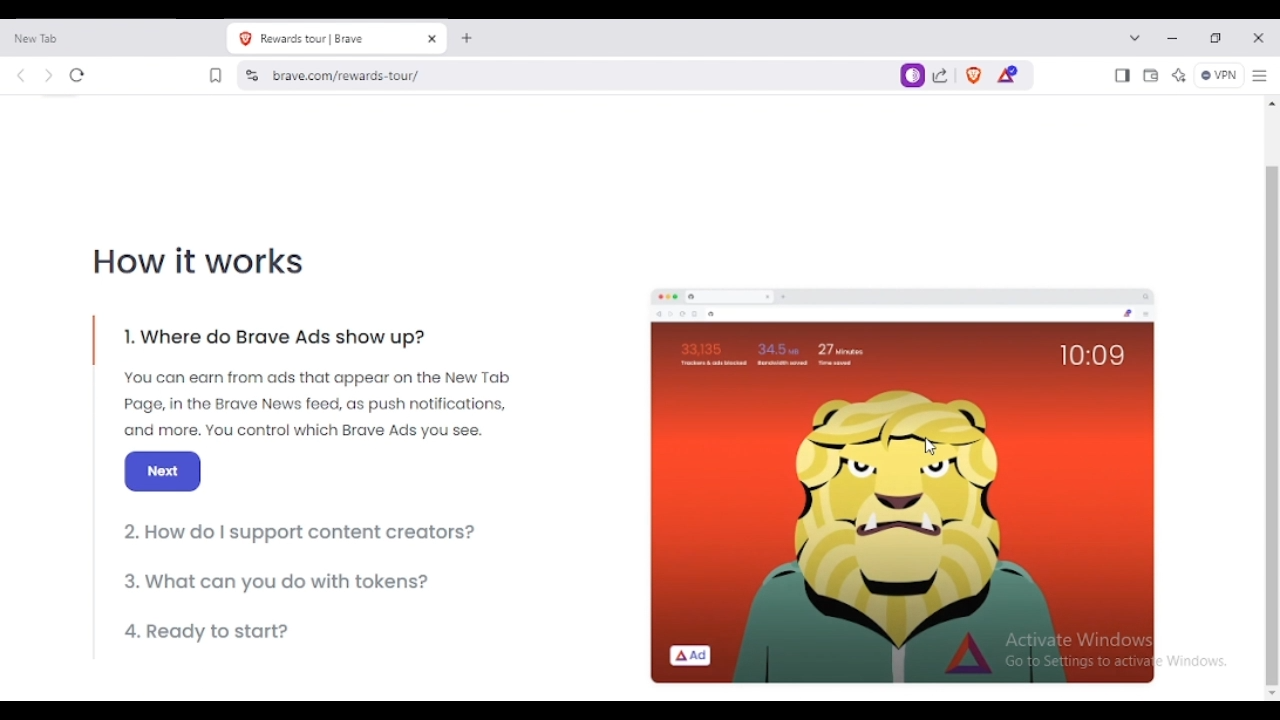 Image resolution: width=1280 pixels, height=720 pixels. Describe the element at coordinates (1151, 77) in the screenshot. I see `wallet` at that location.